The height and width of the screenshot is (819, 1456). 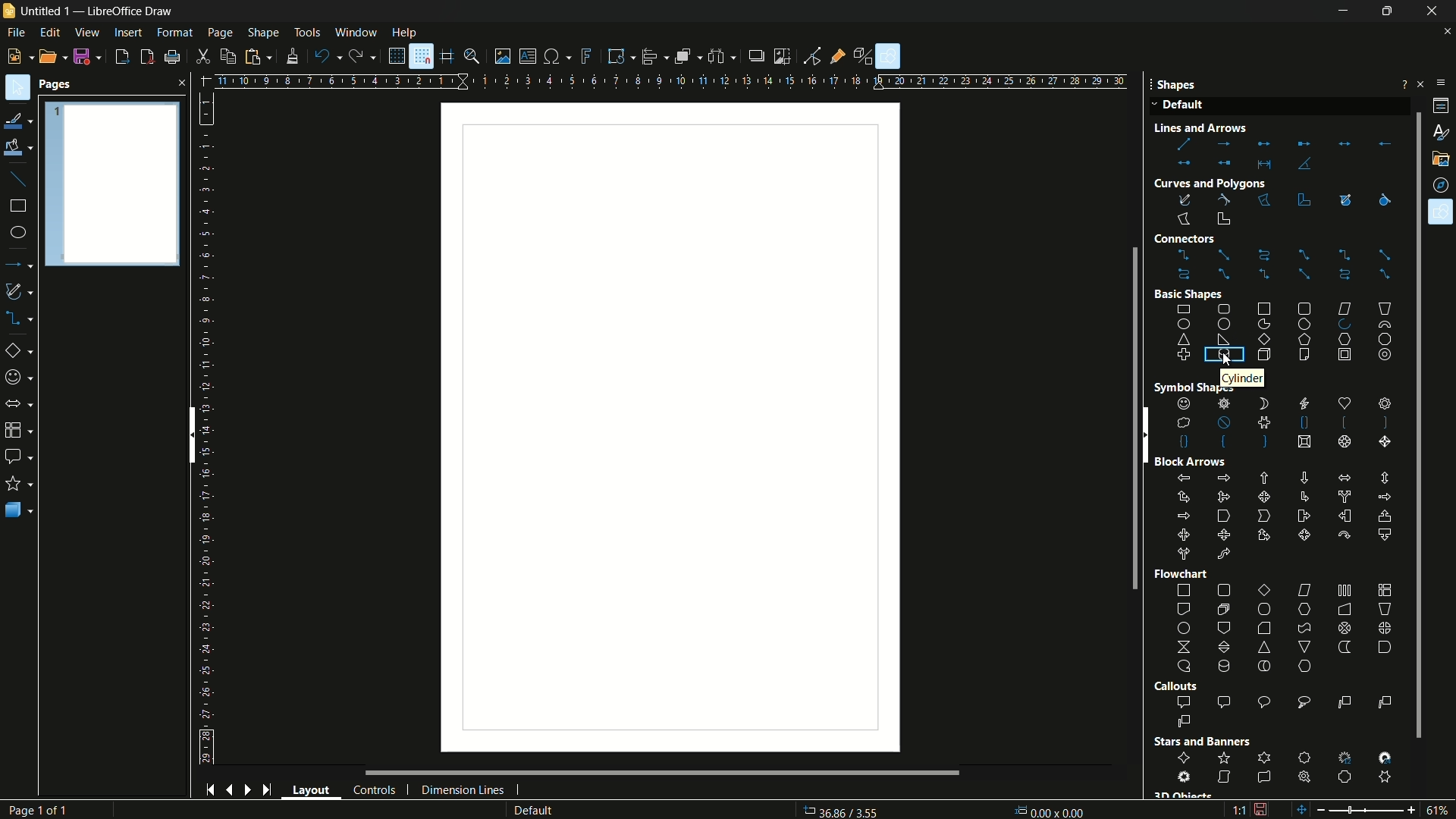 I want to click on page menu, so click(x=221, y=33).